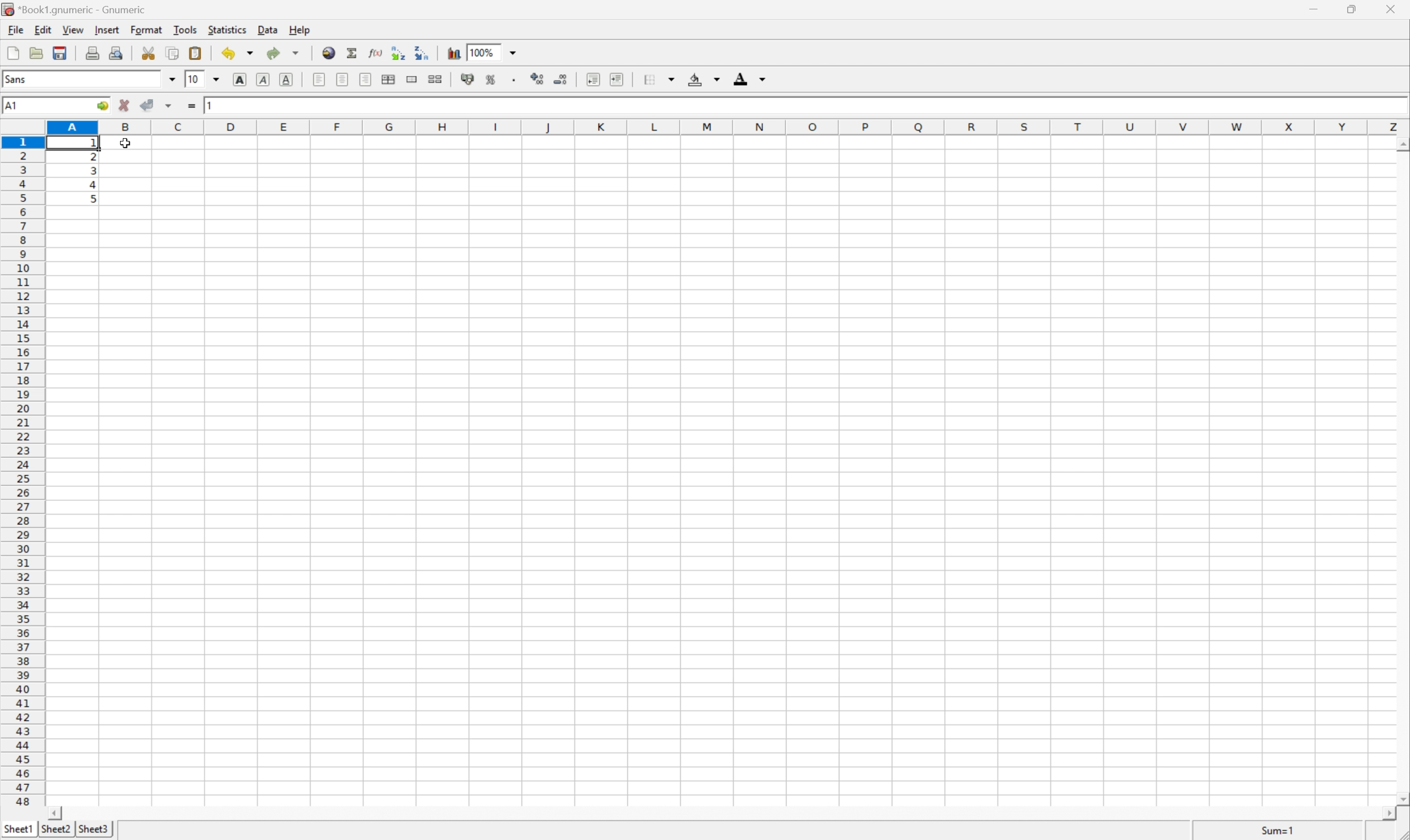 Image resolution: width=1410 pixels, height=840 pixels. I want to click on Minimize, so click(1316, 8).